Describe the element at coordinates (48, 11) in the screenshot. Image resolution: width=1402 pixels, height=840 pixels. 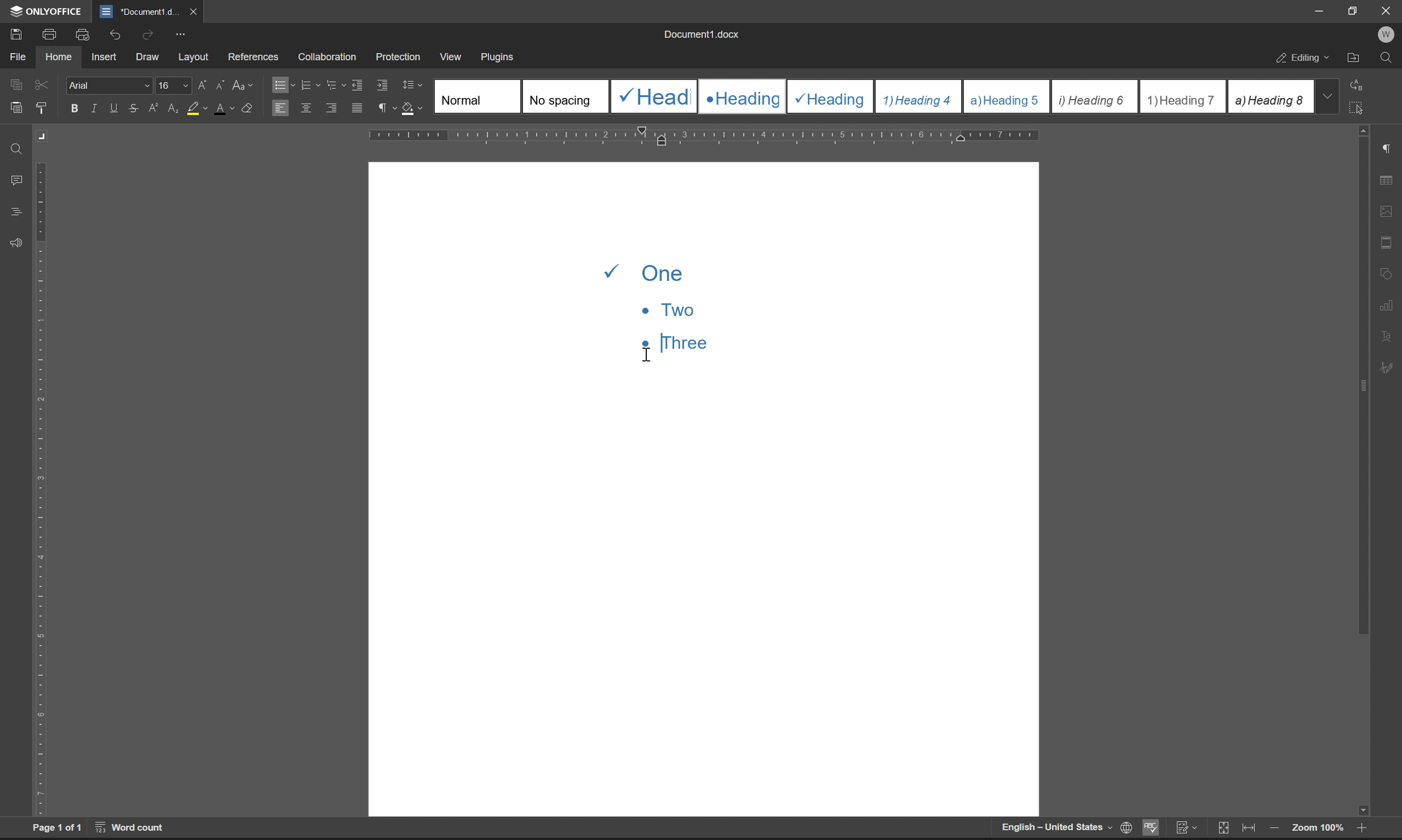
I see `ONLYOFFICE` at that location.